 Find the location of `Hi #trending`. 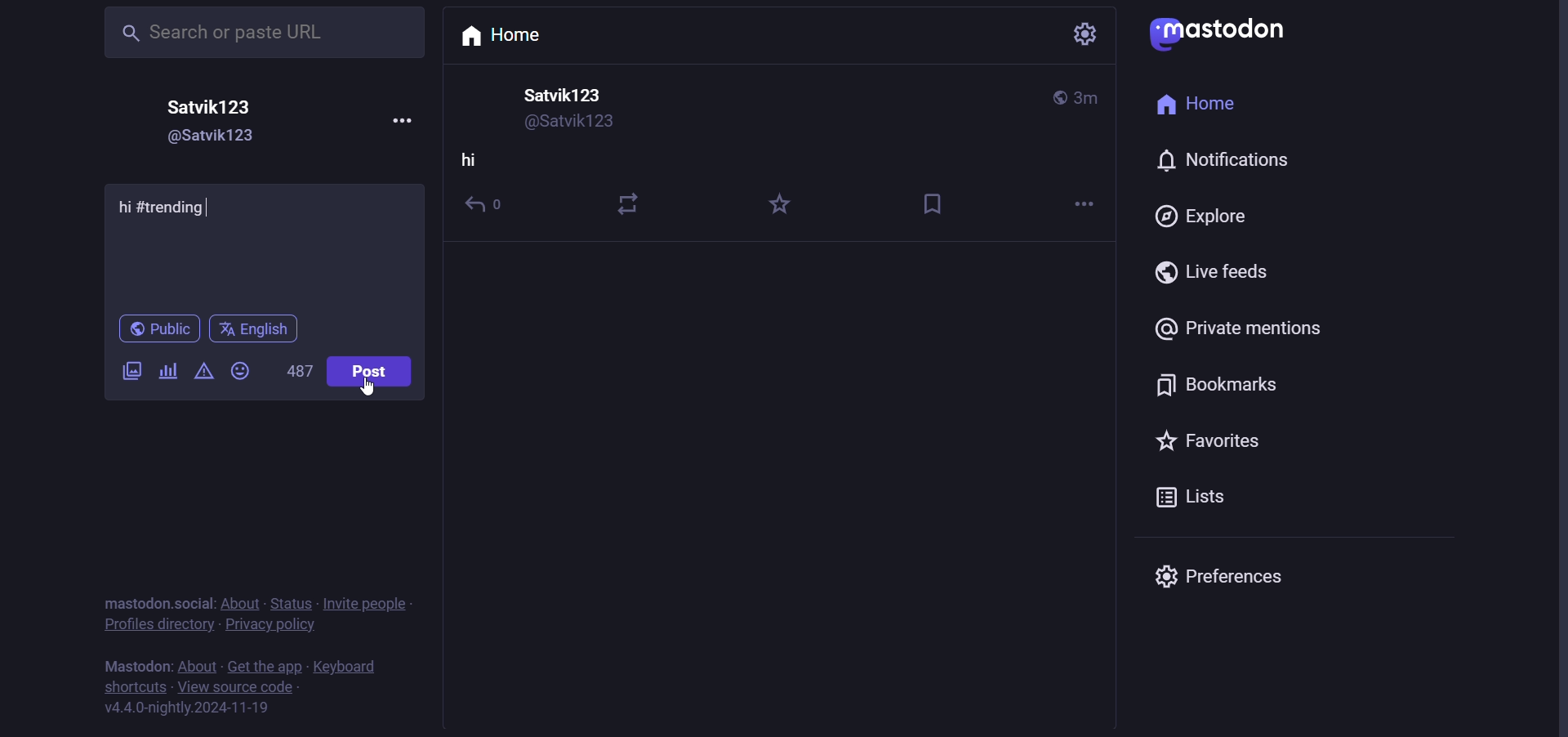

Hi #trending is located at coordinates (166, 207).